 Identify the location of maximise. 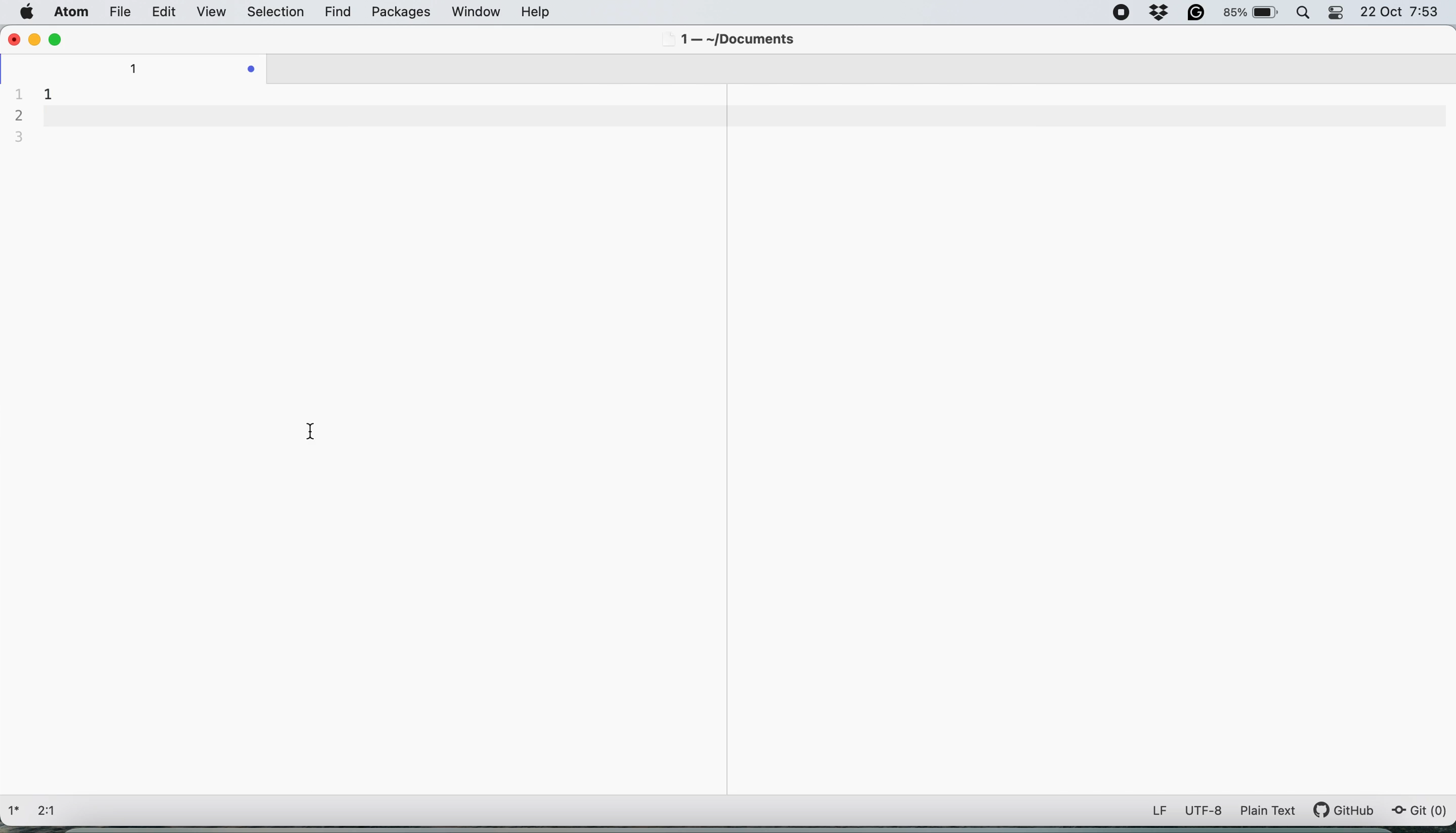
(55, 39).